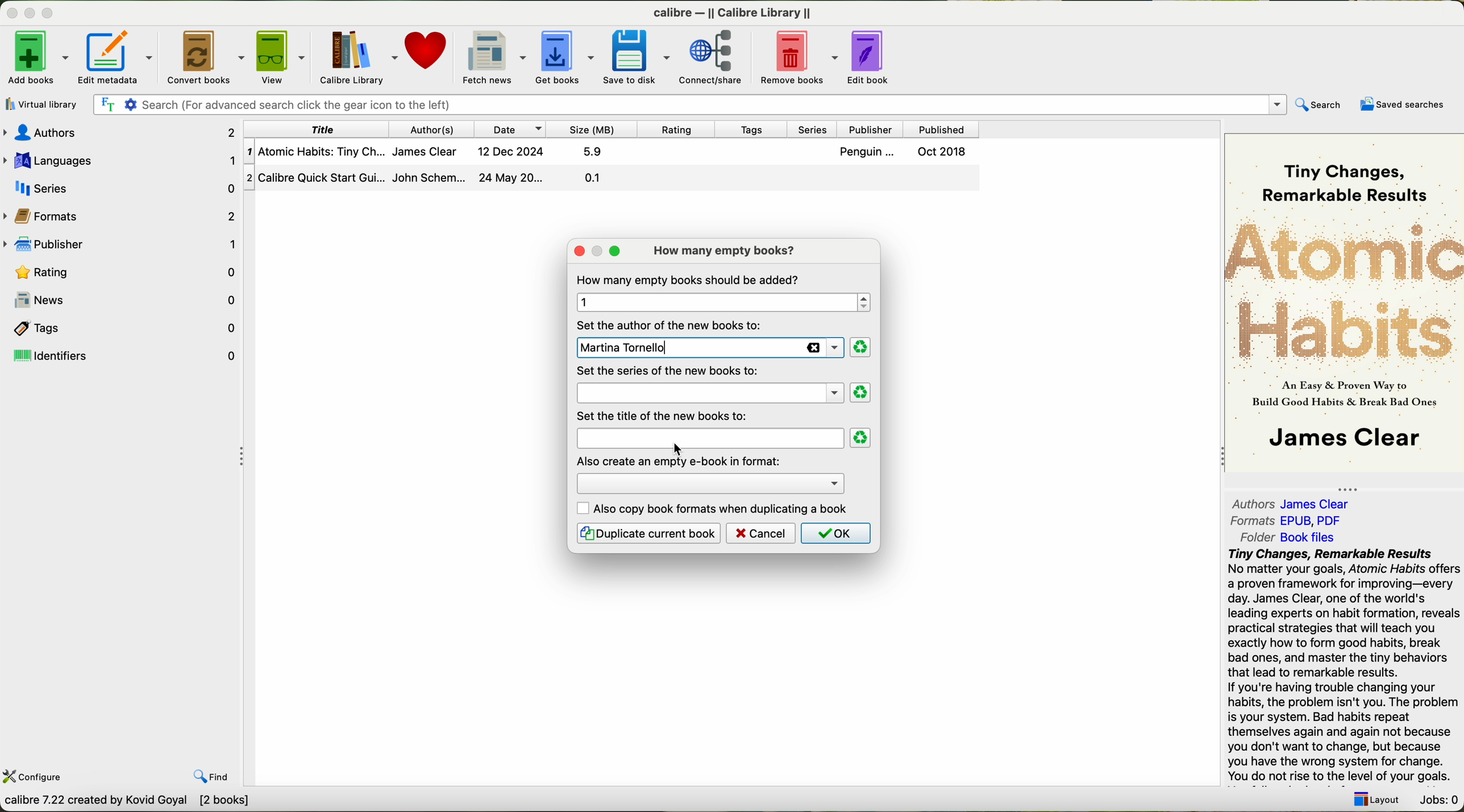  Describe the element at coordinates (1376, 800) in the screenshot. I see `Layout` at that location.